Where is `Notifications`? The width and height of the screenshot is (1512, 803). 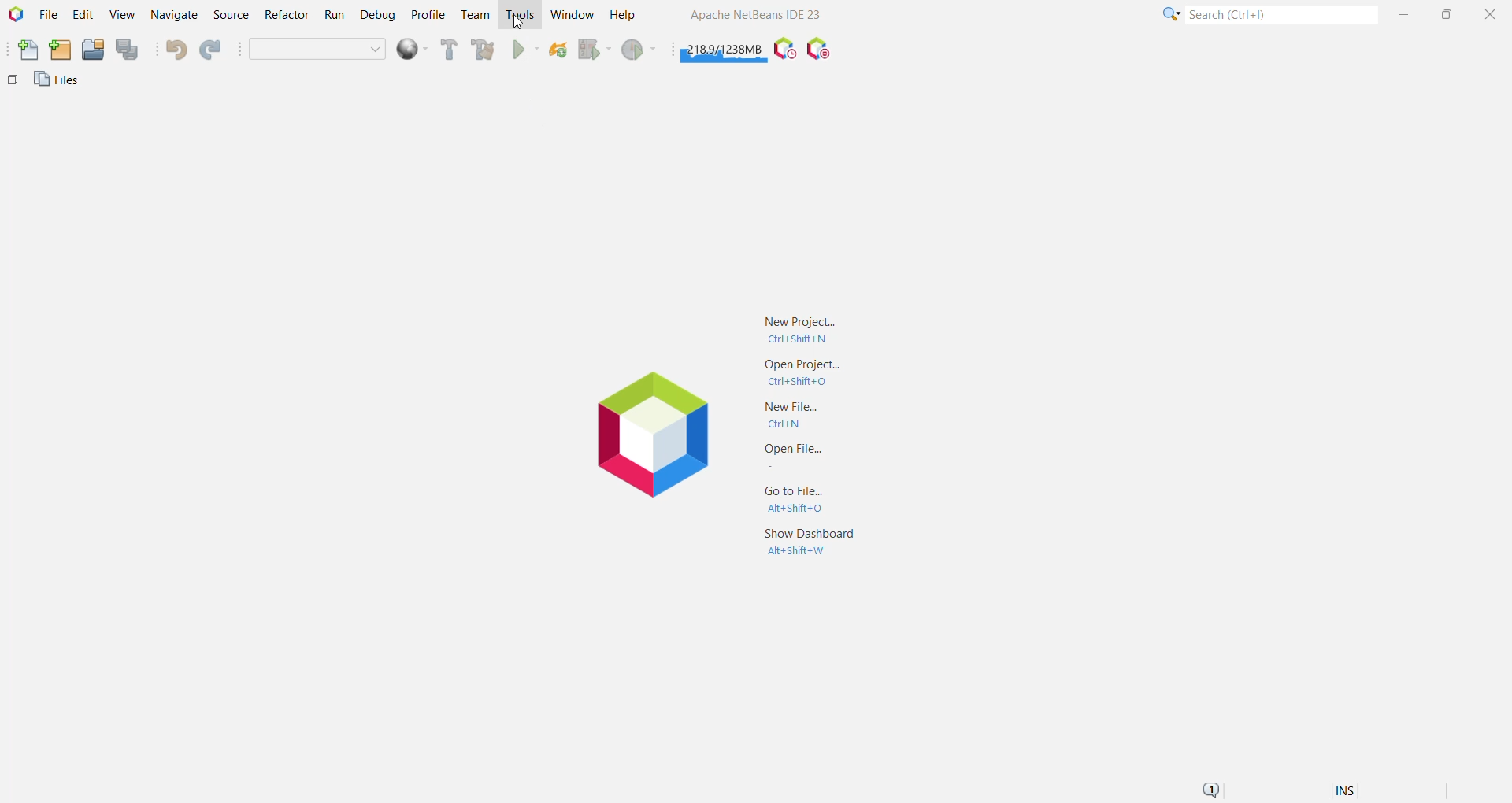
Notifications is located at coordinates (1210, 791).